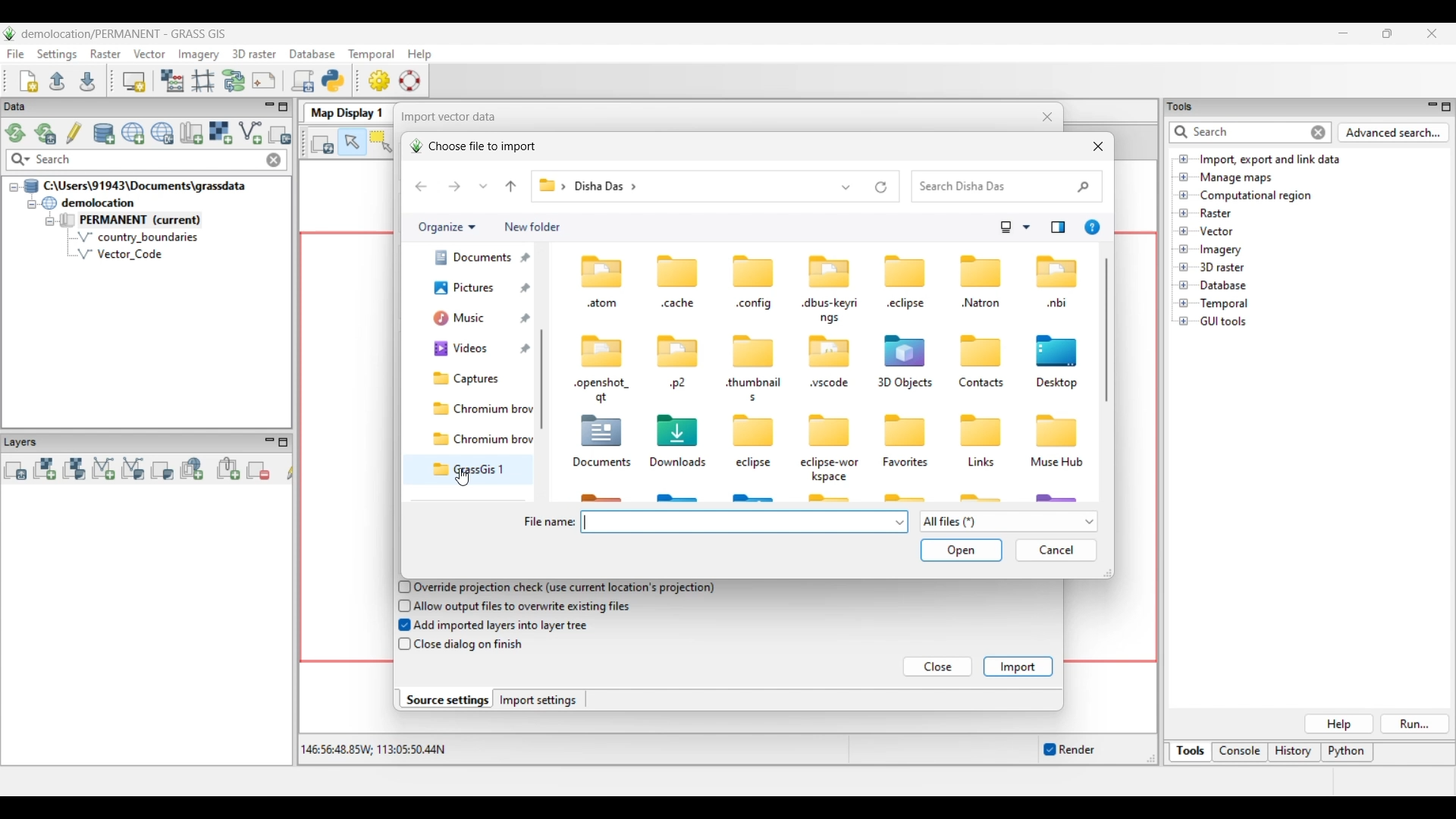 Image resolution: width=1456 pixels, height=819 pixels. I want to click on Close window, so click(1098, 146).